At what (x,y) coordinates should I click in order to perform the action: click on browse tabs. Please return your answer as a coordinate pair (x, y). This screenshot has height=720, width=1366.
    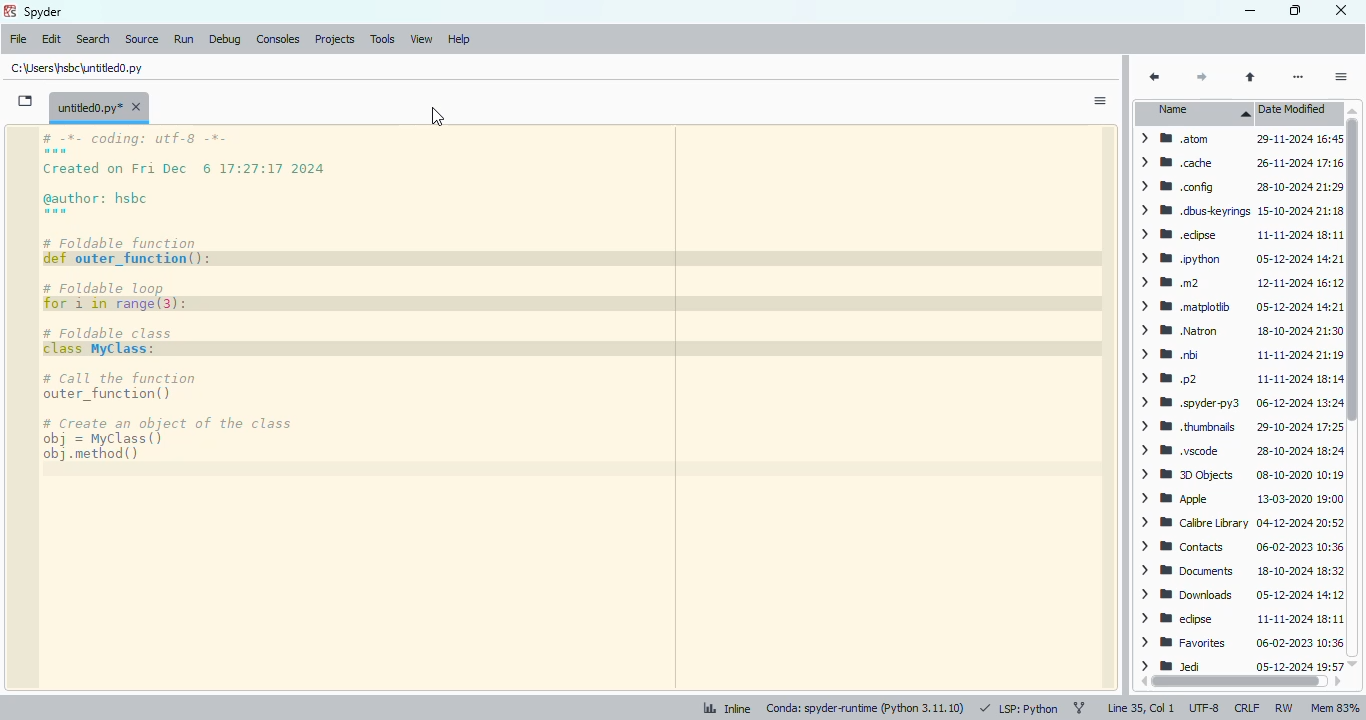
    Looking at the image, I should click on (24, 101).